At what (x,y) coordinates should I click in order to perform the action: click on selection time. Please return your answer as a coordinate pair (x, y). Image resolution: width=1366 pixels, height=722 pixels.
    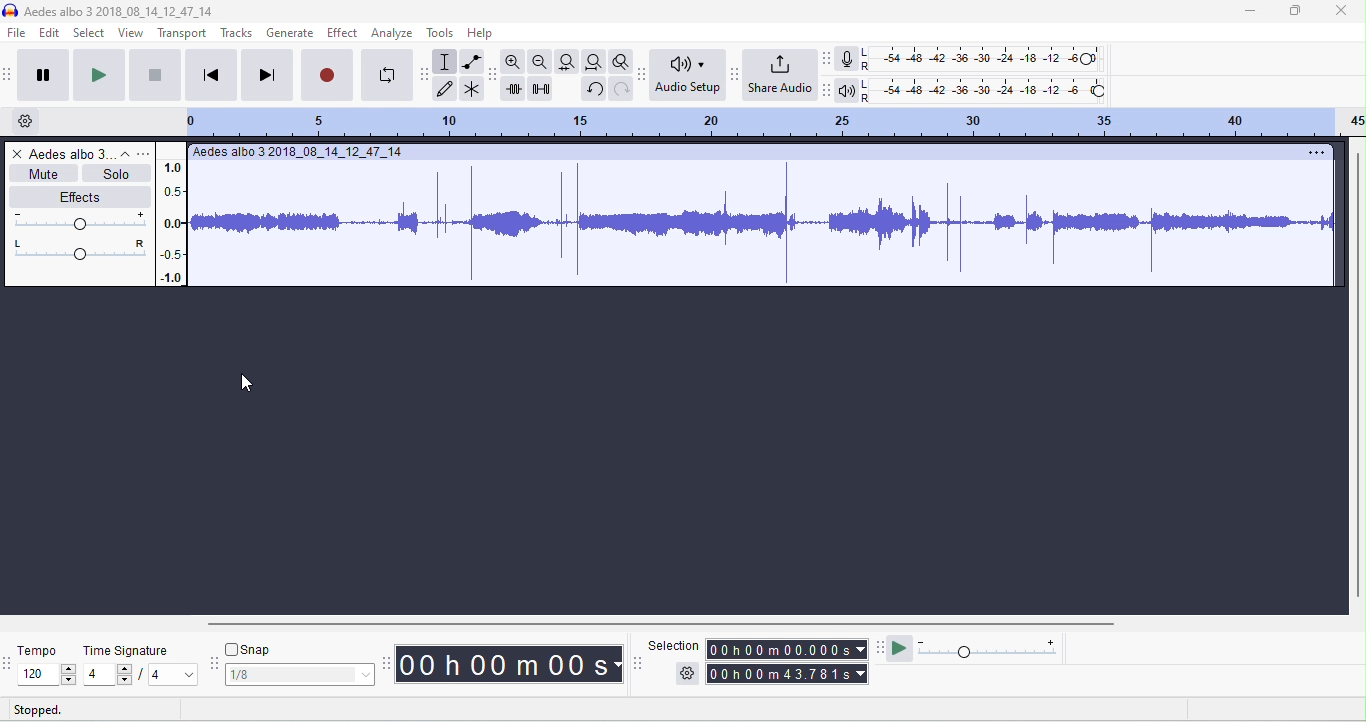
    Looking at the image, I should click on (788, 648).